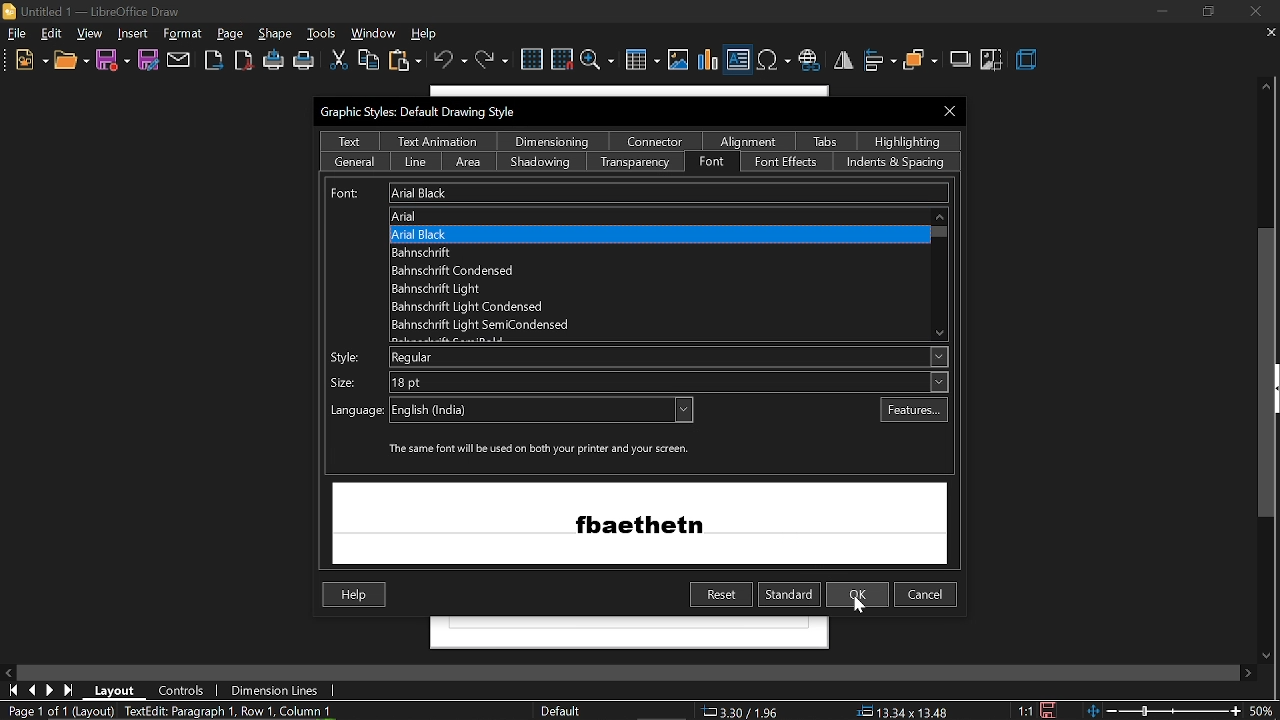 The image size is (1280, 720). What do you see at coordinates (636, 163) in the screenshot?
I see `Transparency` at bounding box center [636, 163].